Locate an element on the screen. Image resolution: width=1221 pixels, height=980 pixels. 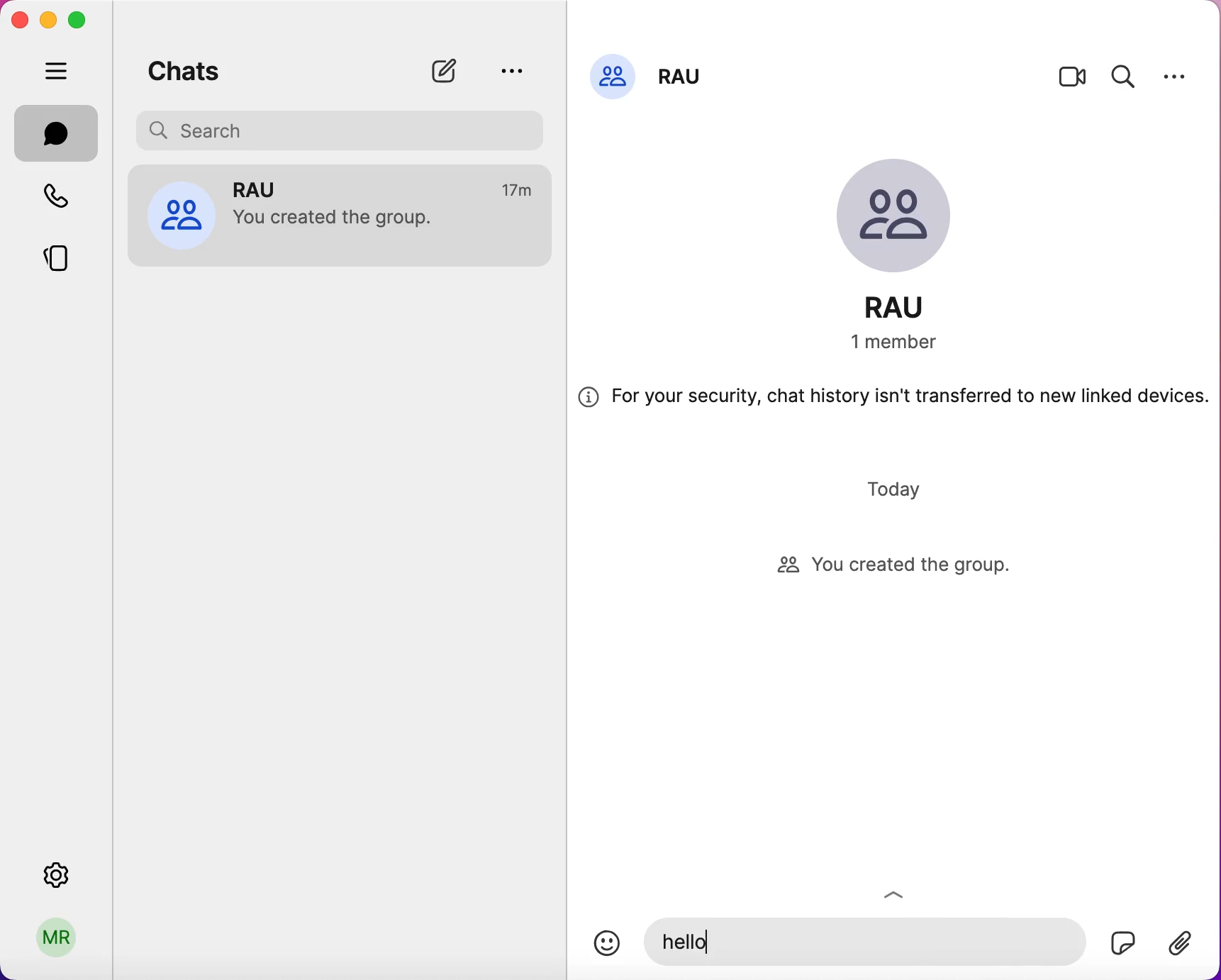
chats is located at coordinates (184, 68).